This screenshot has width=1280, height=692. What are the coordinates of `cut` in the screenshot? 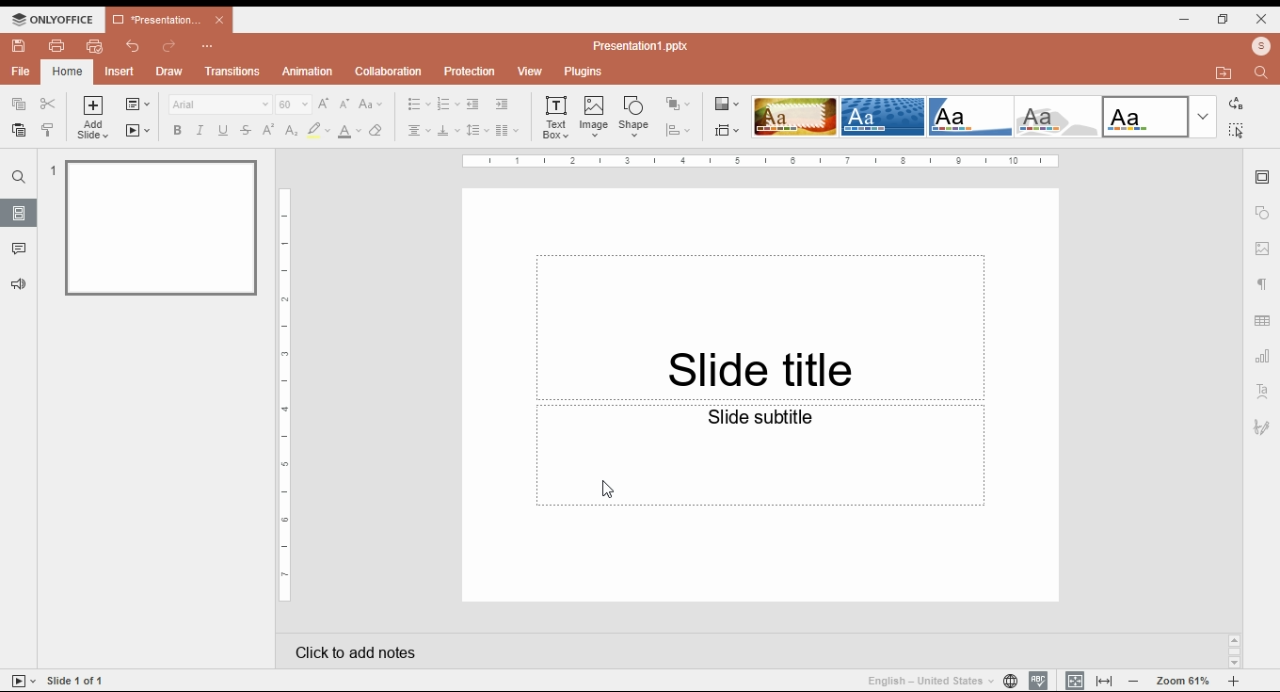 It's located at (49, 103).